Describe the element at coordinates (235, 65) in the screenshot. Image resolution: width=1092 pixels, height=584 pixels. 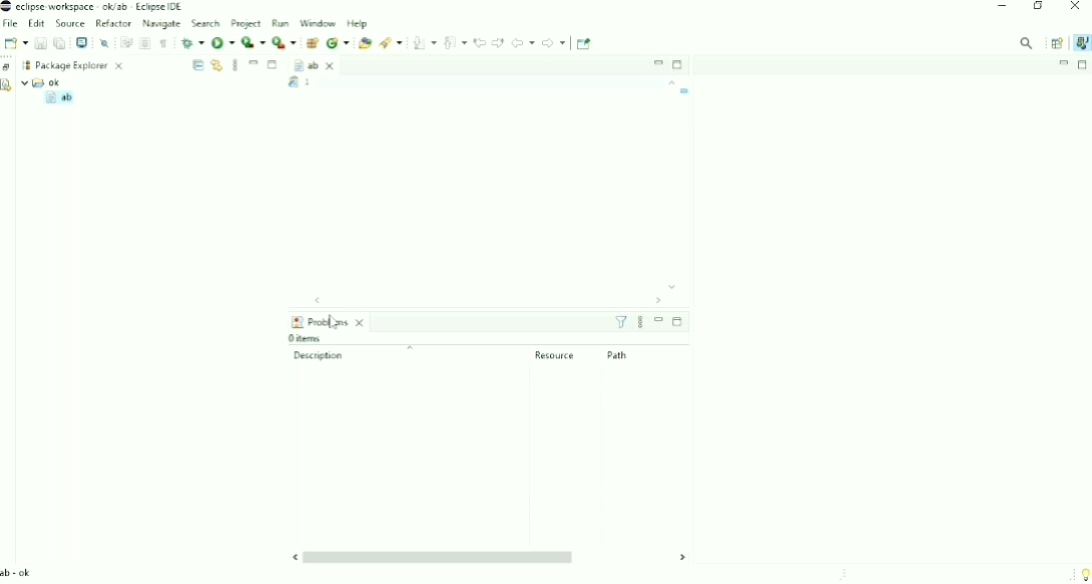
I see `View Menu` at that location.